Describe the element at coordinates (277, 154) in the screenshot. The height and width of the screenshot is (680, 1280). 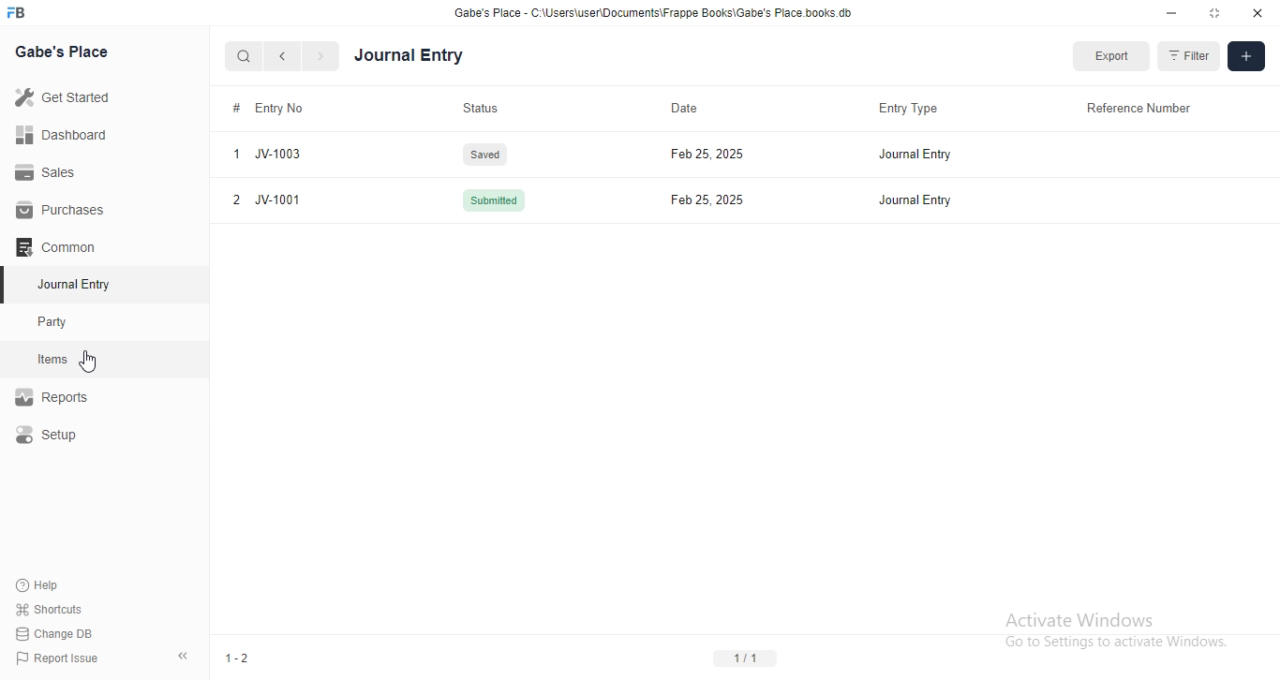
I see `JV-1003` at that location.